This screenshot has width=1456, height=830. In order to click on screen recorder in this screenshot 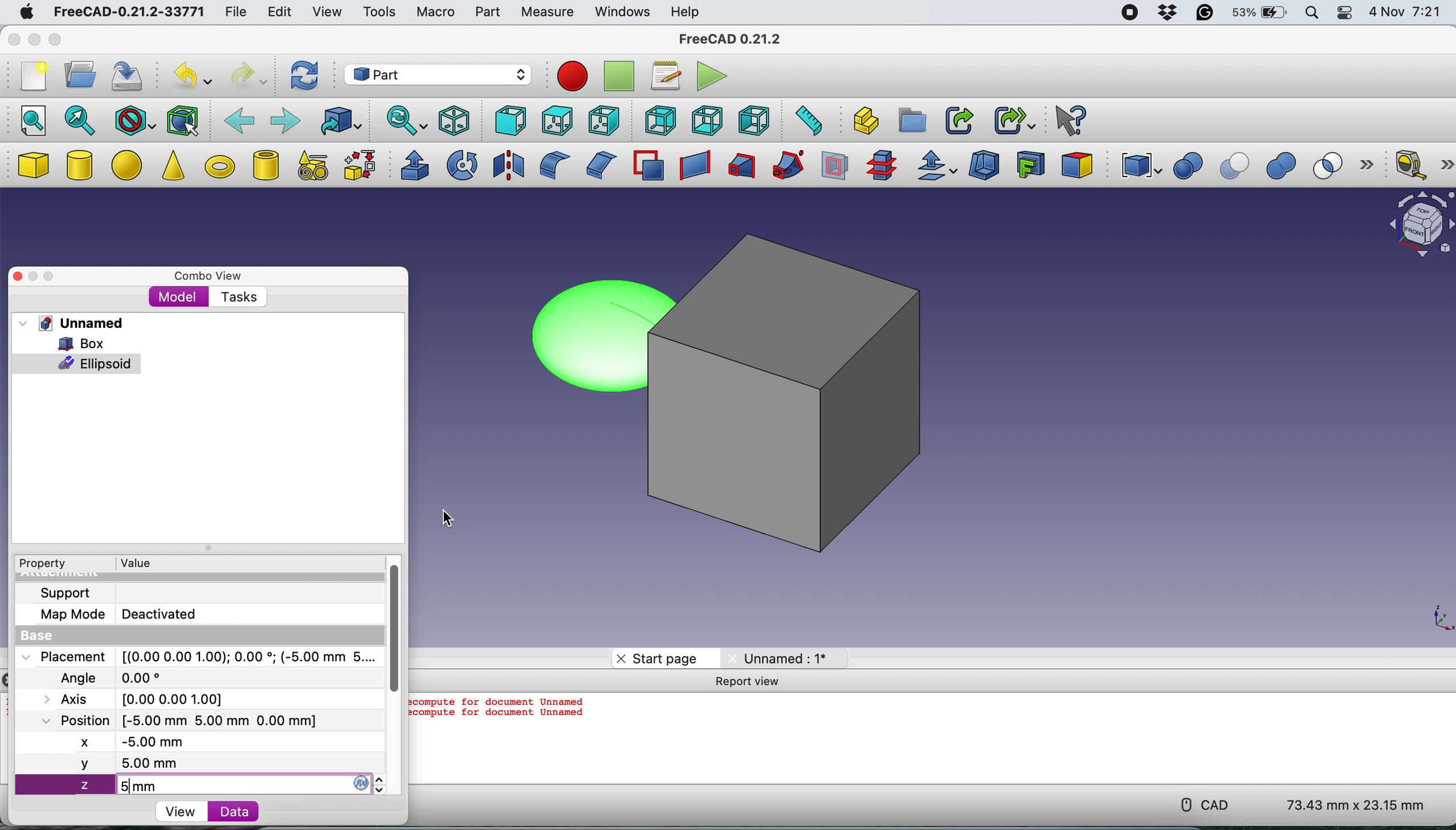, I will do `click(1130, 14)`.